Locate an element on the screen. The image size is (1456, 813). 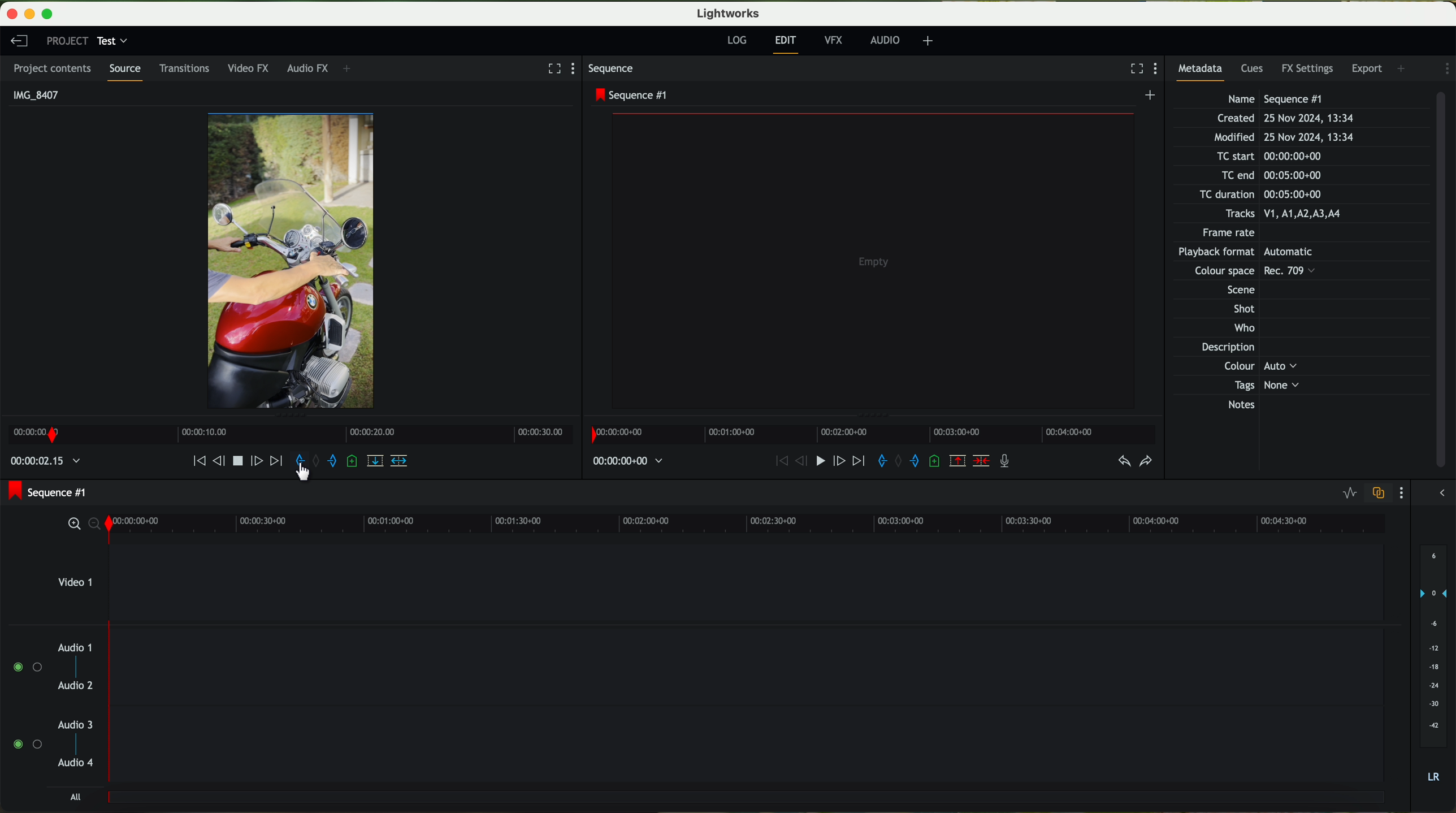
add panel is located at coordinates (1403, 67).